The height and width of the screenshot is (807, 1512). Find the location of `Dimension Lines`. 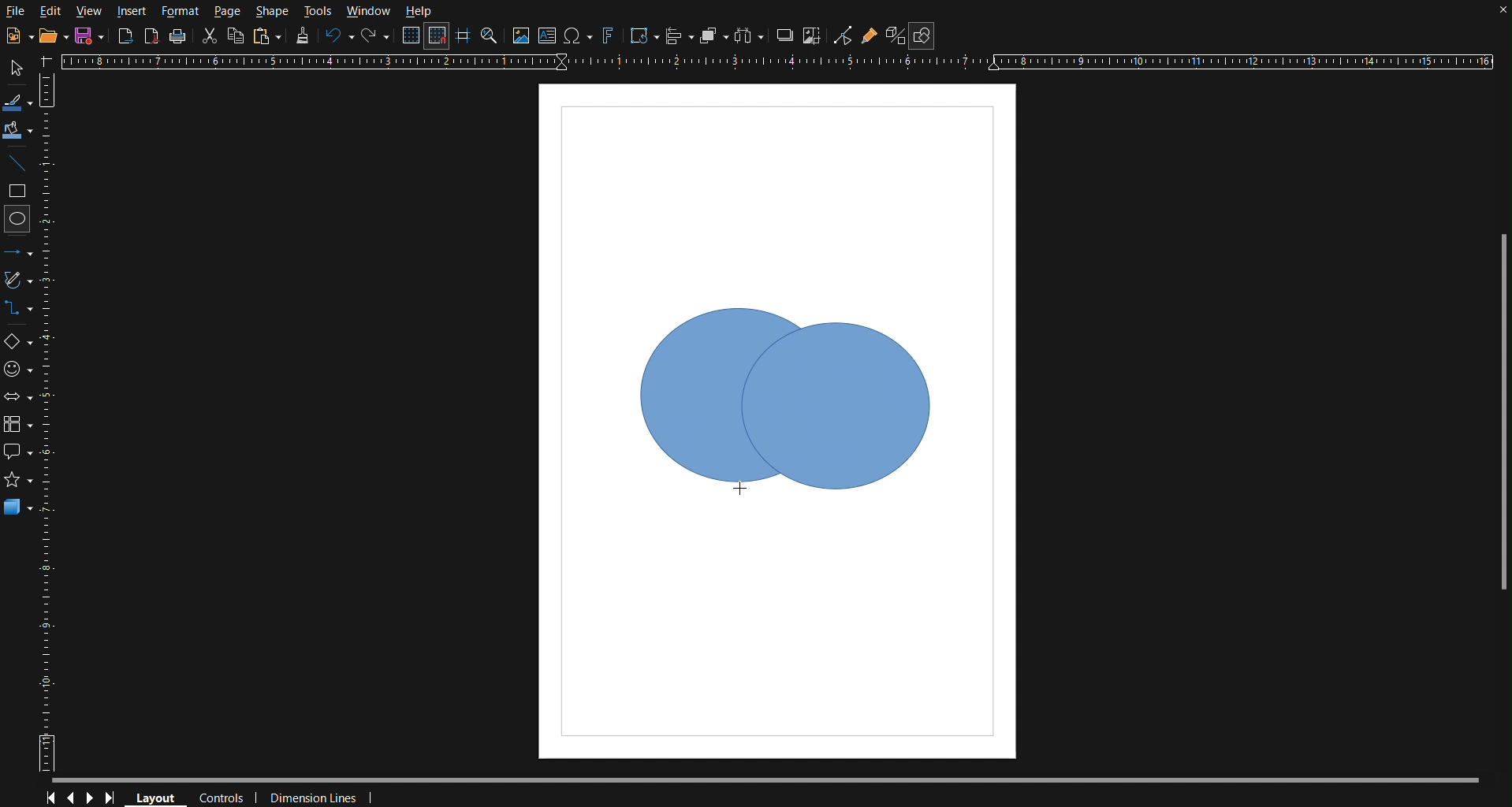

Dimension Lines is located at coordinates (315, 795).